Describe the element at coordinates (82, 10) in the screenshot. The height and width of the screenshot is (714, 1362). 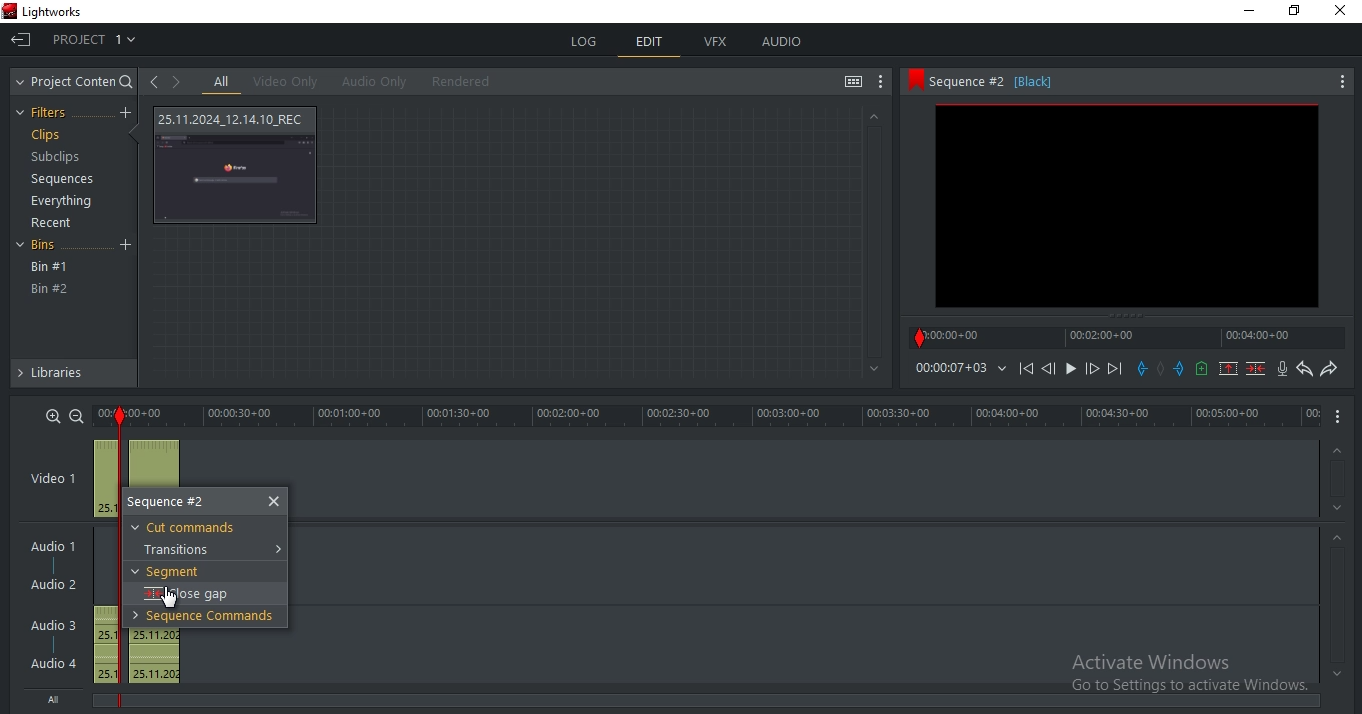
I see `Lightworks` at that location.